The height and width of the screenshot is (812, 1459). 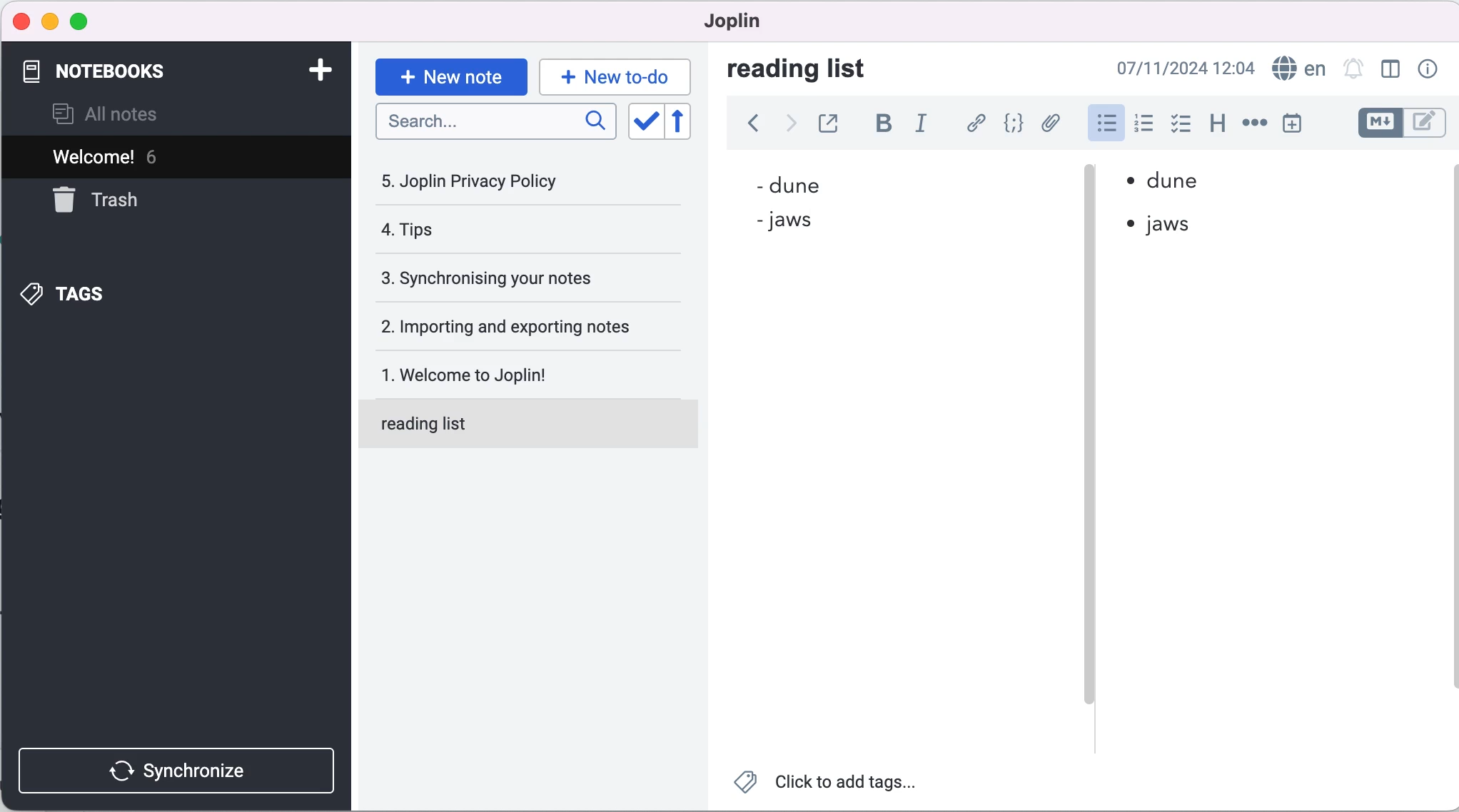 I want to click on back, so click(x=749, y=123).